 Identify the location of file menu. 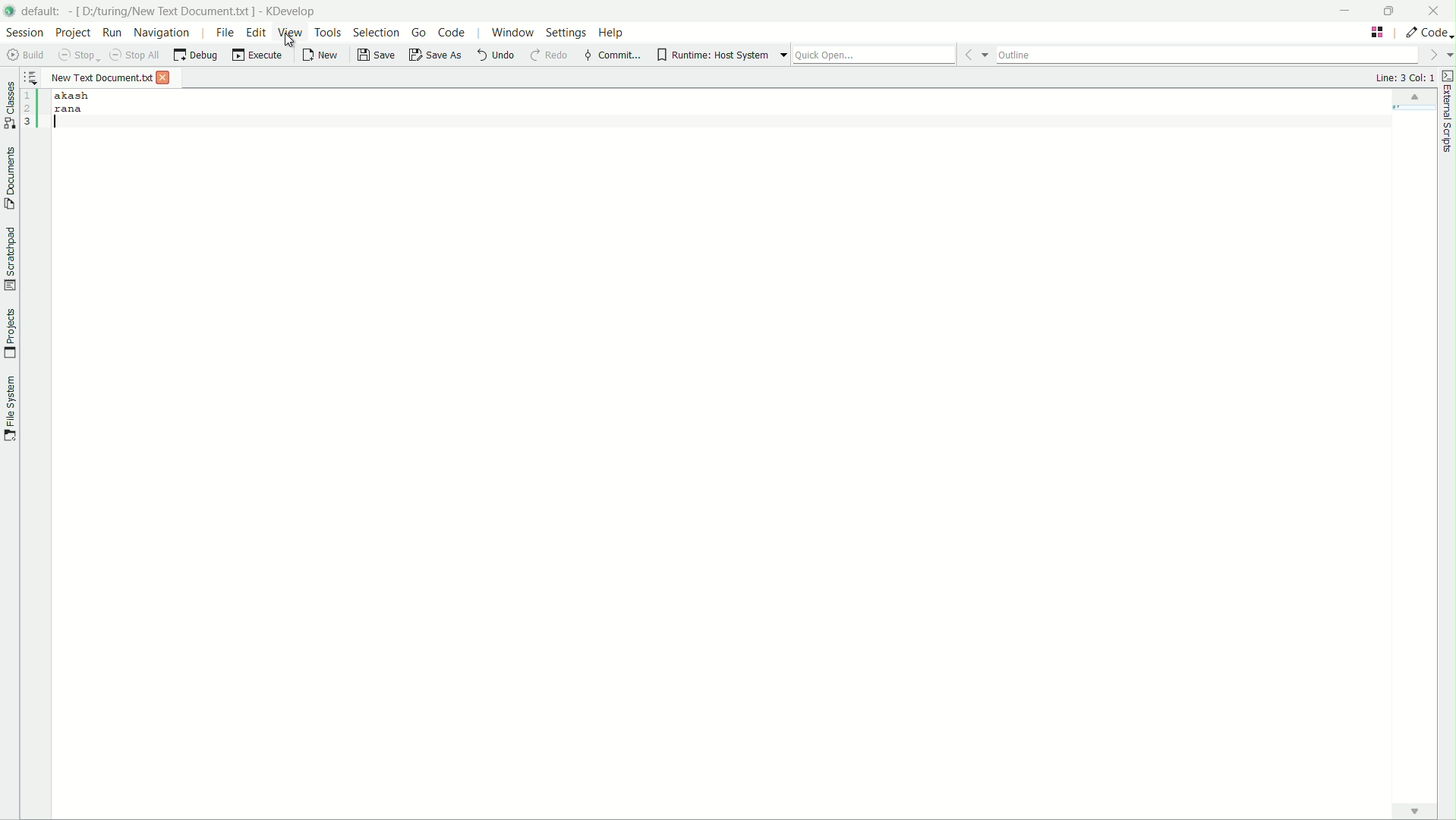
(225, 32).